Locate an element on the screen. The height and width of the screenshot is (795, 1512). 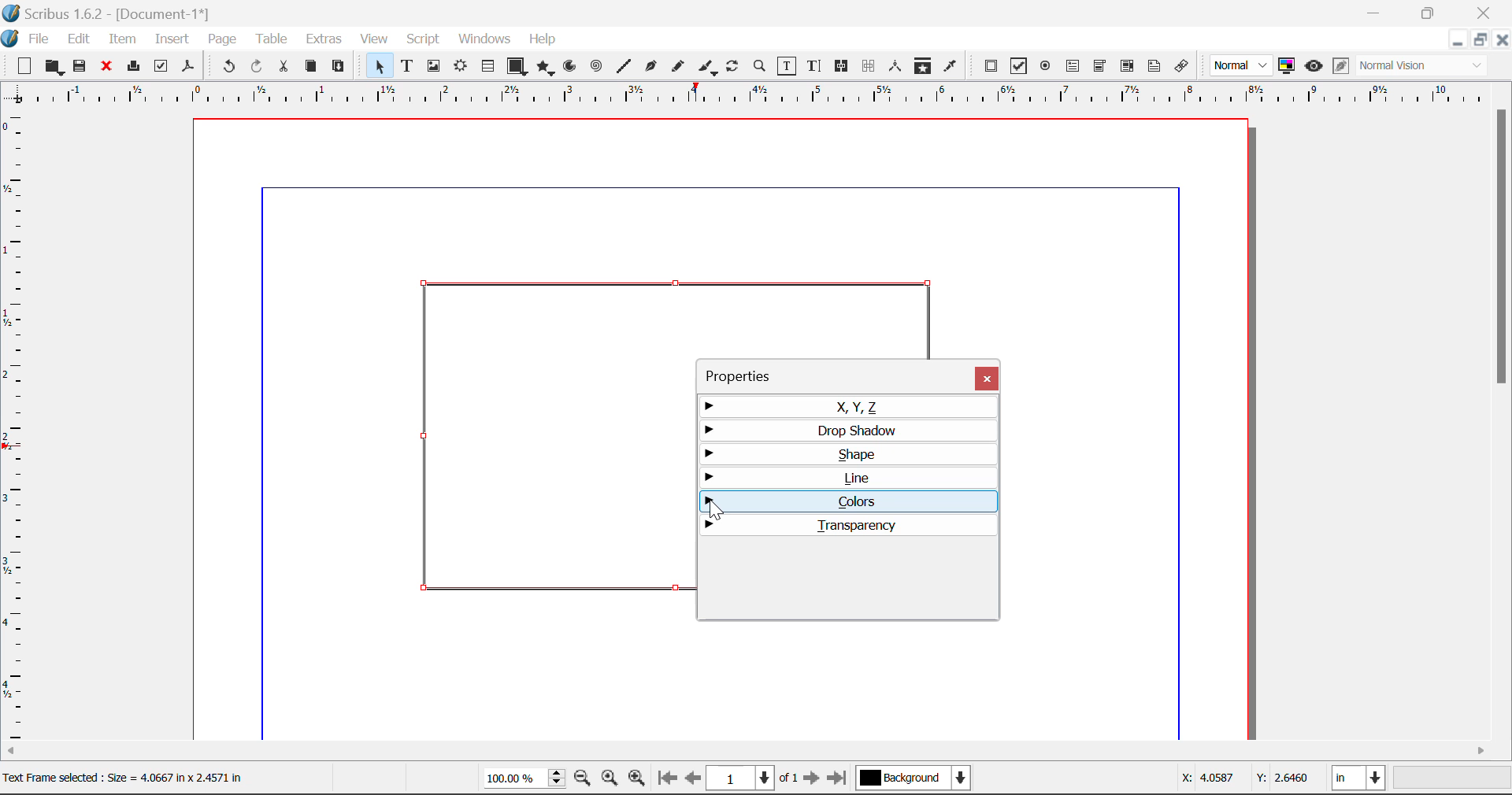
Windows is located at coordinates (484, 40).